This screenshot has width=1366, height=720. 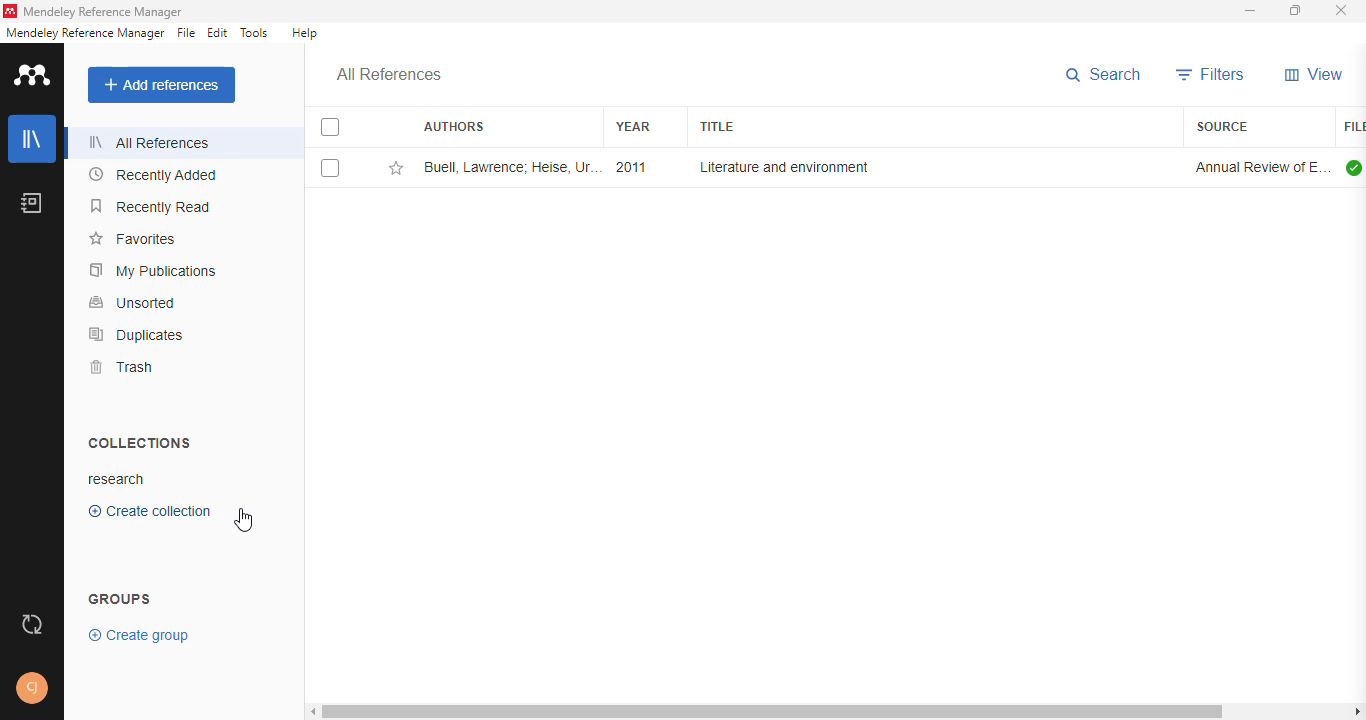 What do you see at coordinates (31, 203) in the screenshot?
I see `notebook` at bounding box center [31, 203].